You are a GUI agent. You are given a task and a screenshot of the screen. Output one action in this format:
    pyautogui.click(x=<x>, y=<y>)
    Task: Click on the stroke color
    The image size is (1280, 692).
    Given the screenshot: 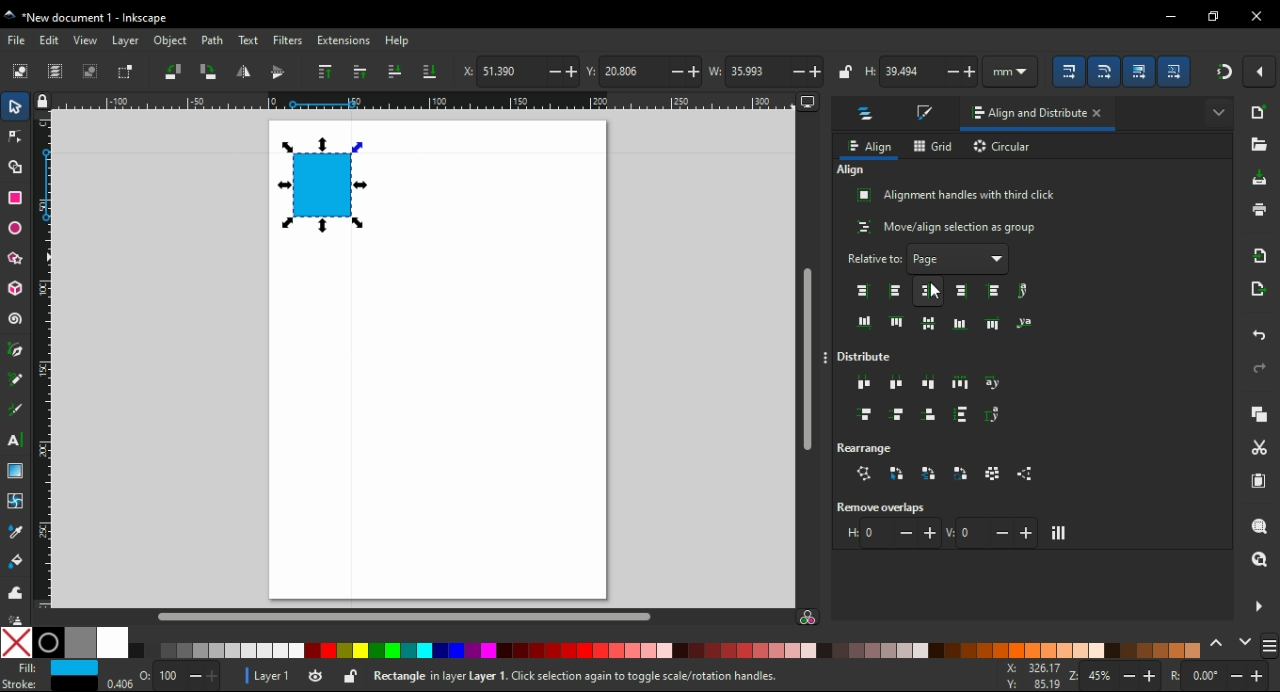 What is the action you would take?
    pyautogui.click(x=46, y=683)
    